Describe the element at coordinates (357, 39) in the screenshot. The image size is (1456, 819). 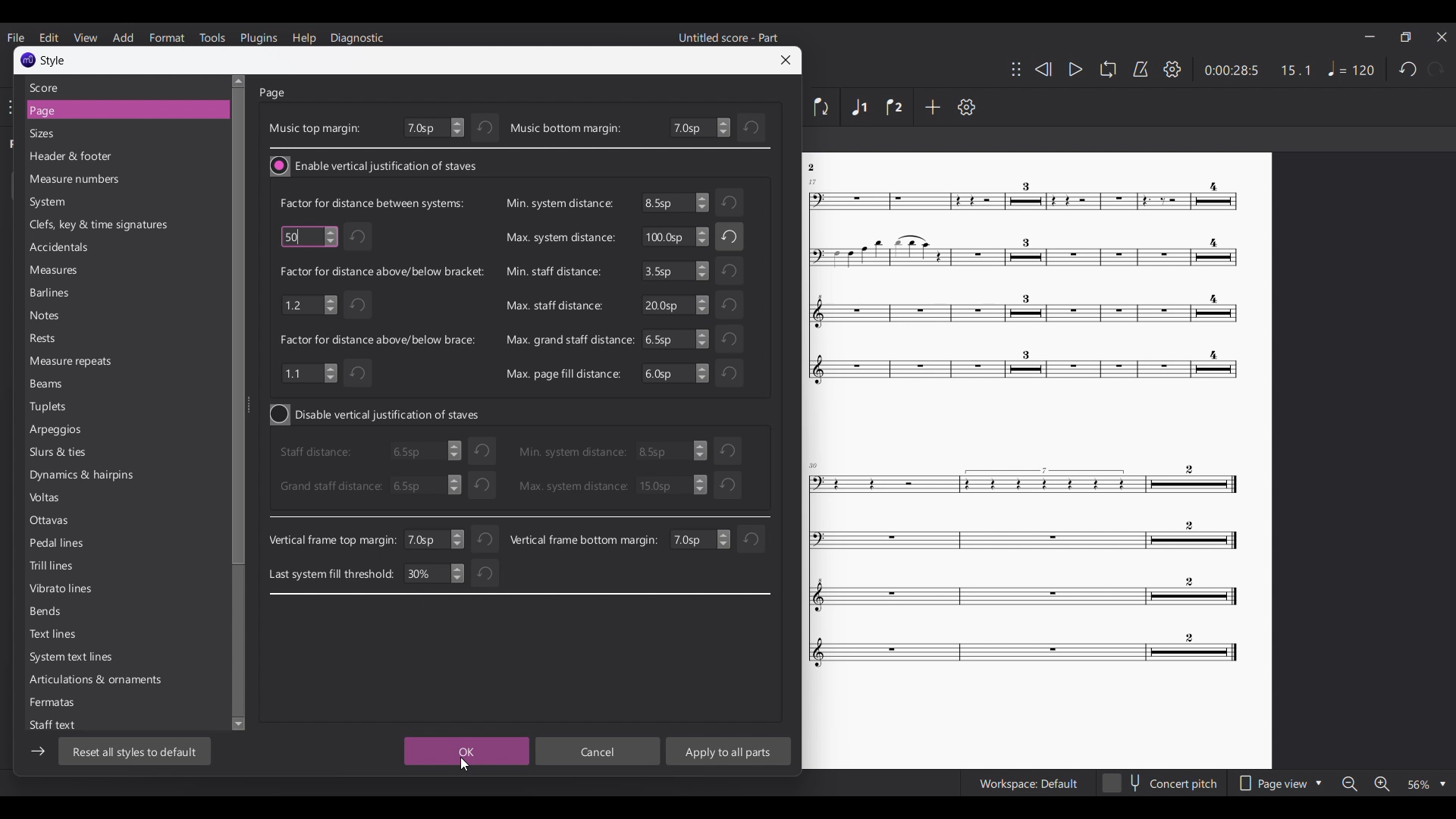
I see `Diagnostic menu` at that location.